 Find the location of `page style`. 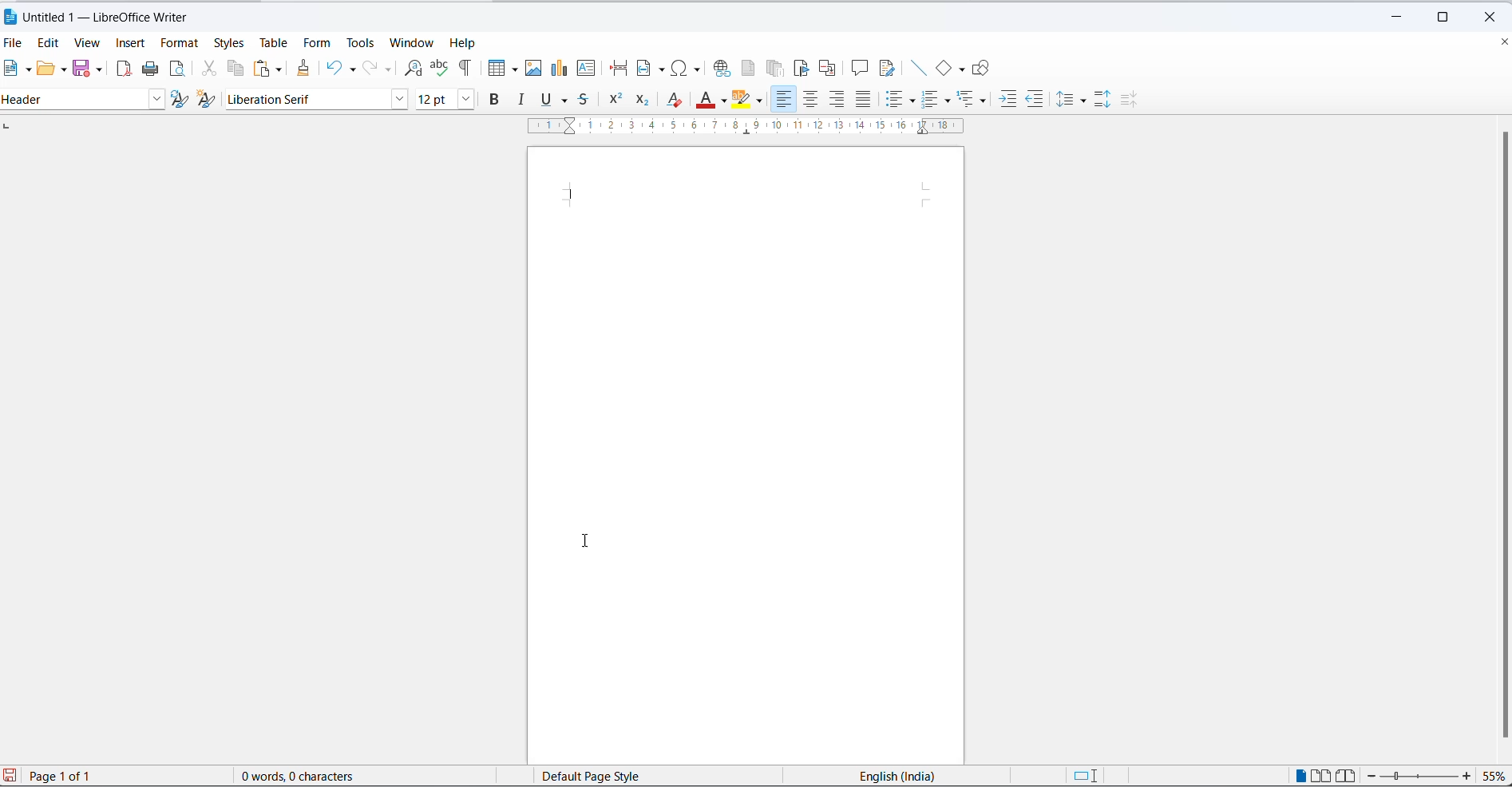

page style is located at coordinates (610, 775).